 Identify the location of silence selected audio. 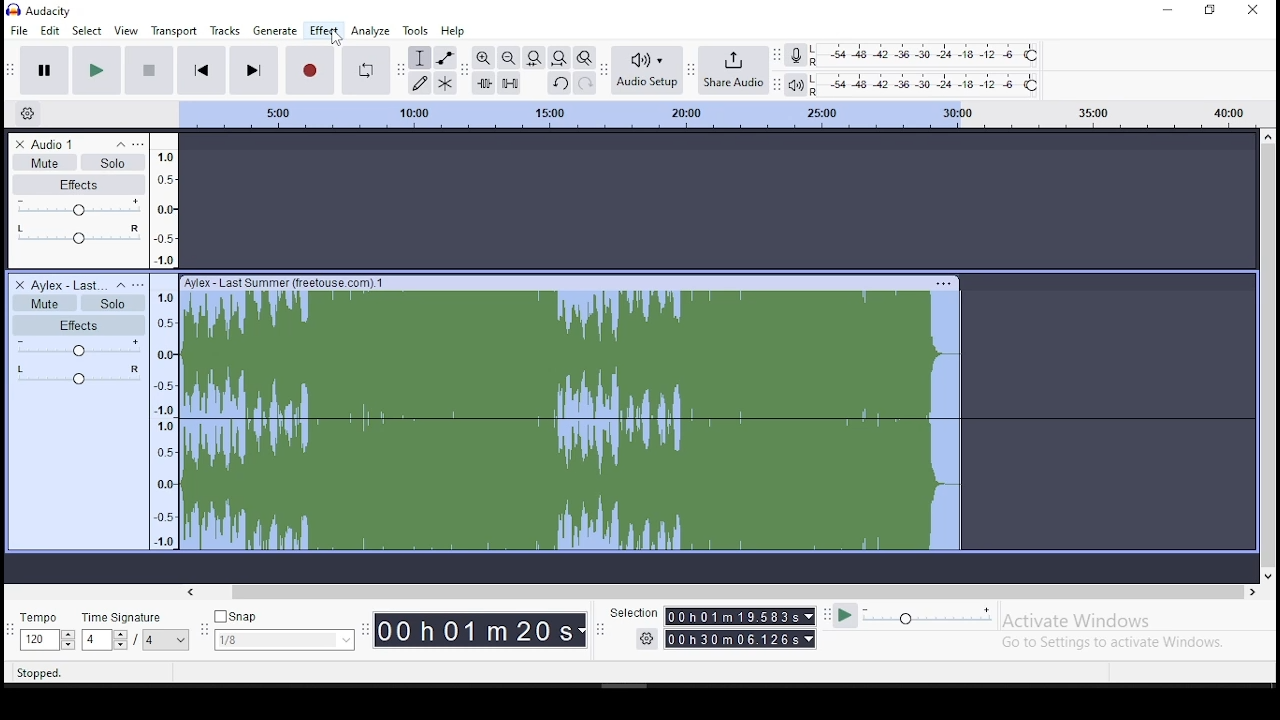
(510, 83).